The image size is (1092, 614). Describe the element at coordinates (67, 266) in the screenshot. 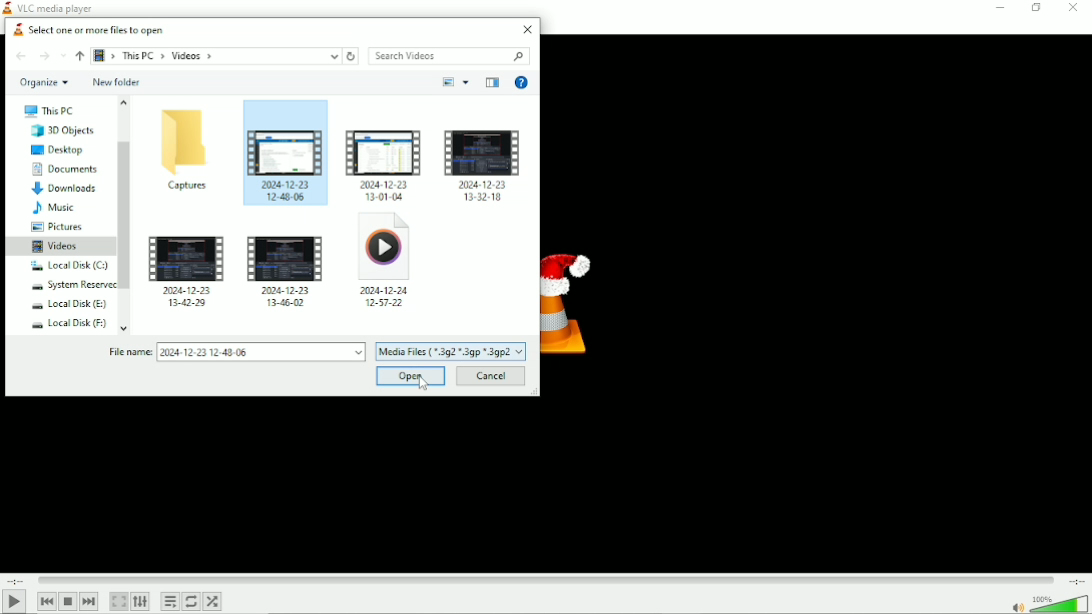

I see `Local Disk(C:)` at that location.